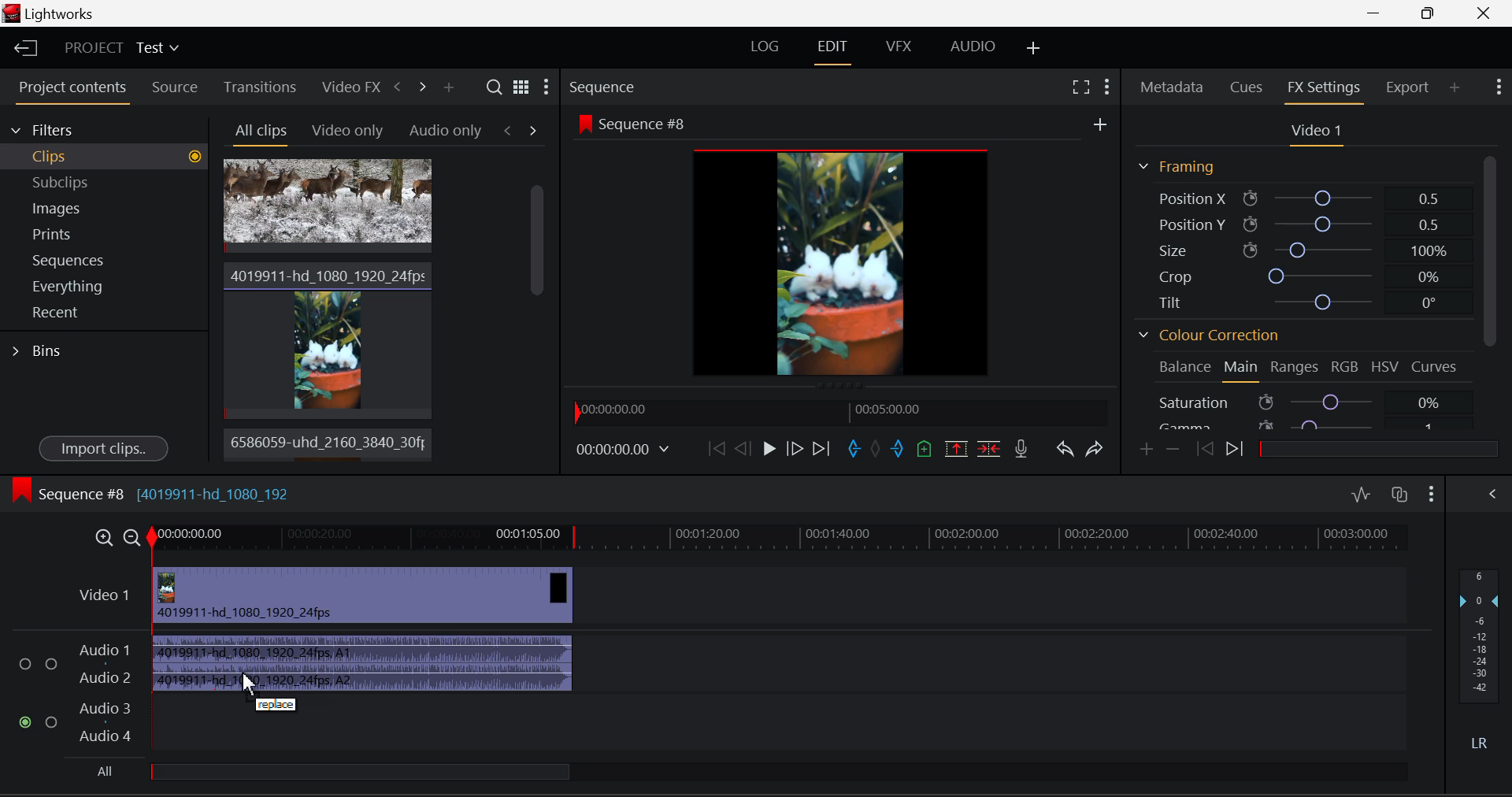  I want to click on Show Settings, so click(548, 85).